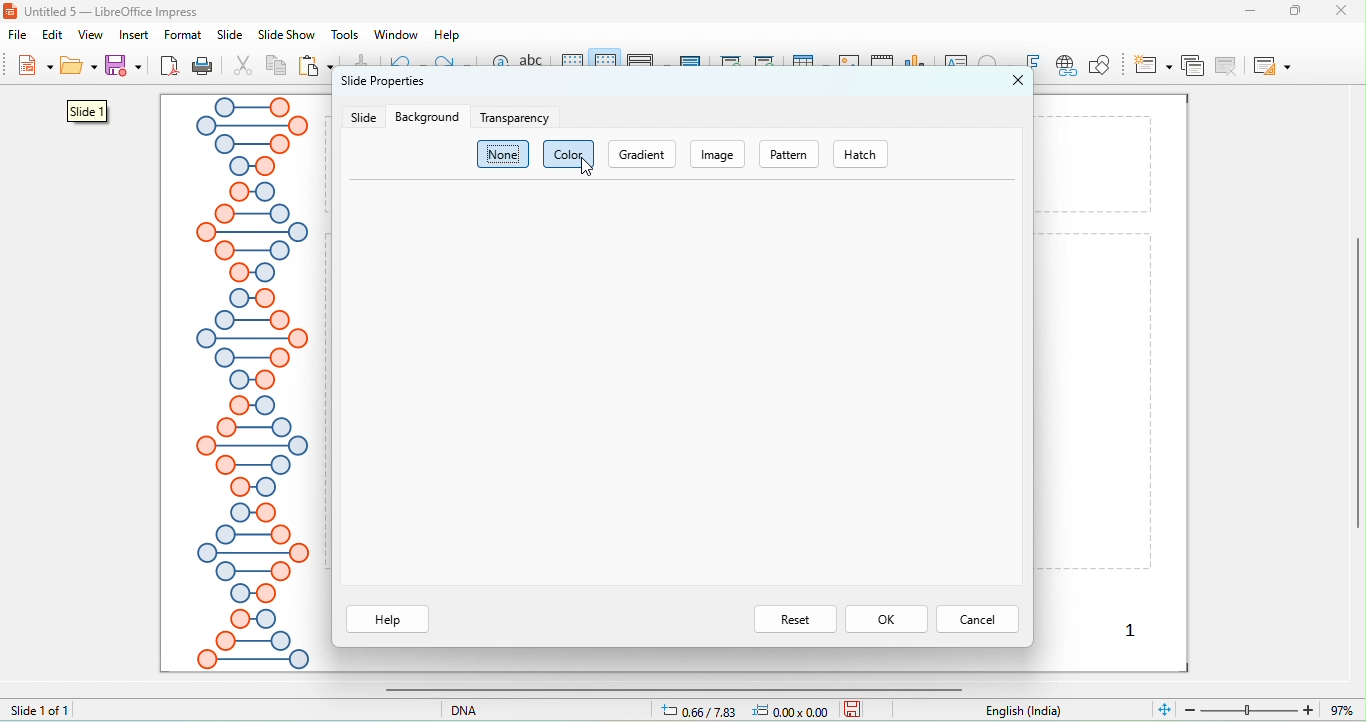 The image size is (1366, 722). What do you see at coordinates (277, 68) in the screenshot?
I see `copy` at bounding box center [277, 68].